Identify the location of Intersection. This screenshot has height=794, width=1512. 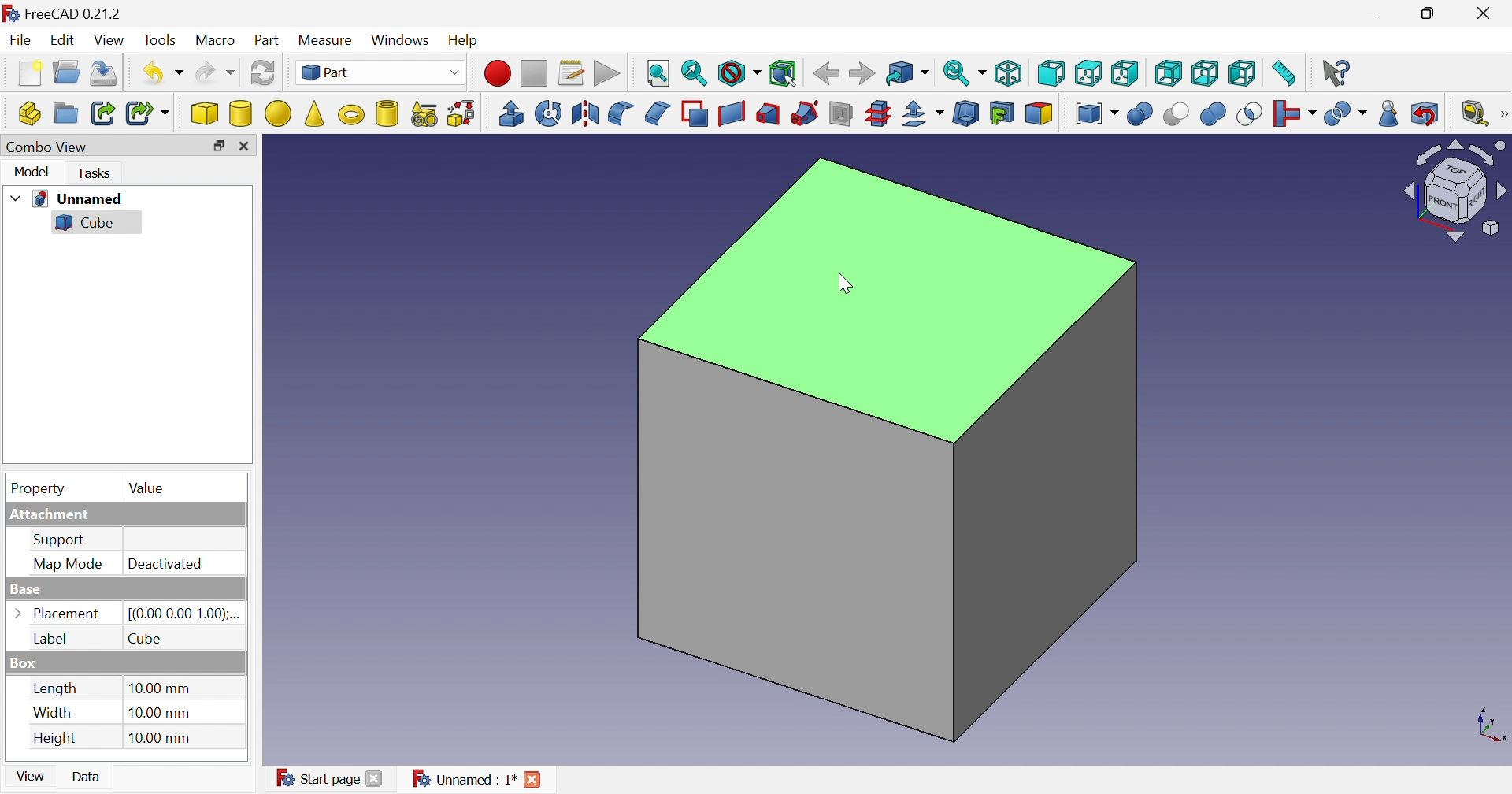
(1251, 113).